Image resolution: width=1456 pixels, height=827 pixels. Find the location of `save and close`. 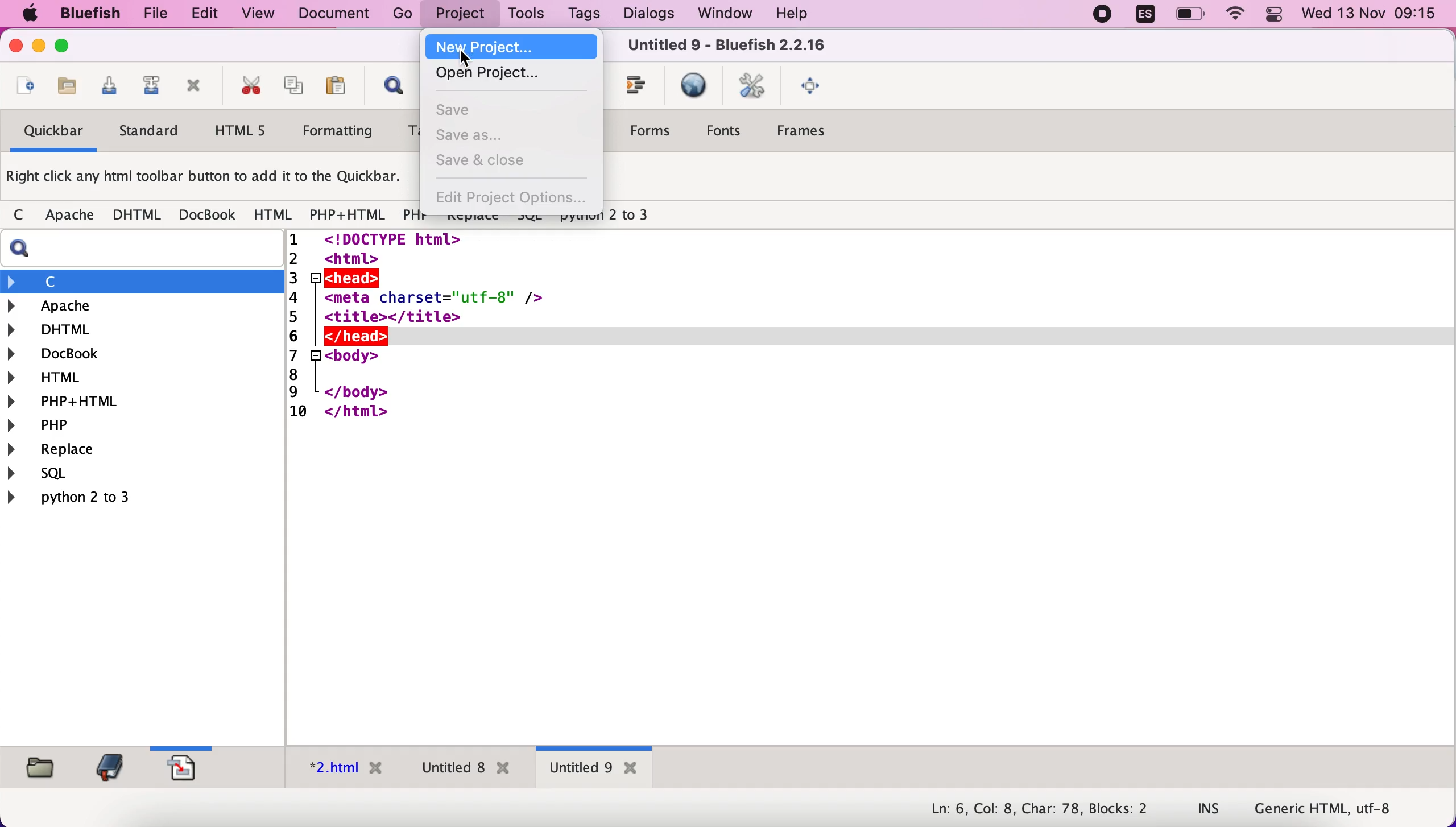

save and close is located at coordinates (489, 163).